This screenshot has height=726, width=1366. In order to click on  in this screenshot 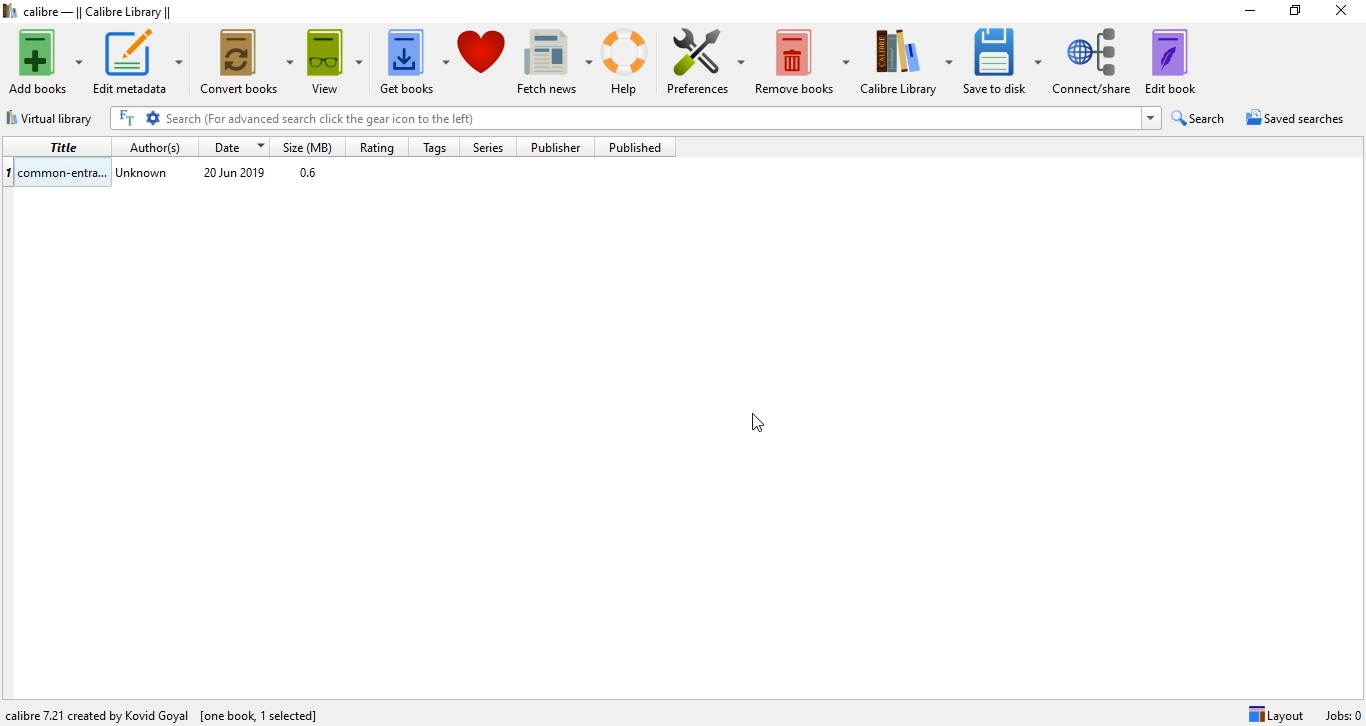, I will do `click(907, 57)`.